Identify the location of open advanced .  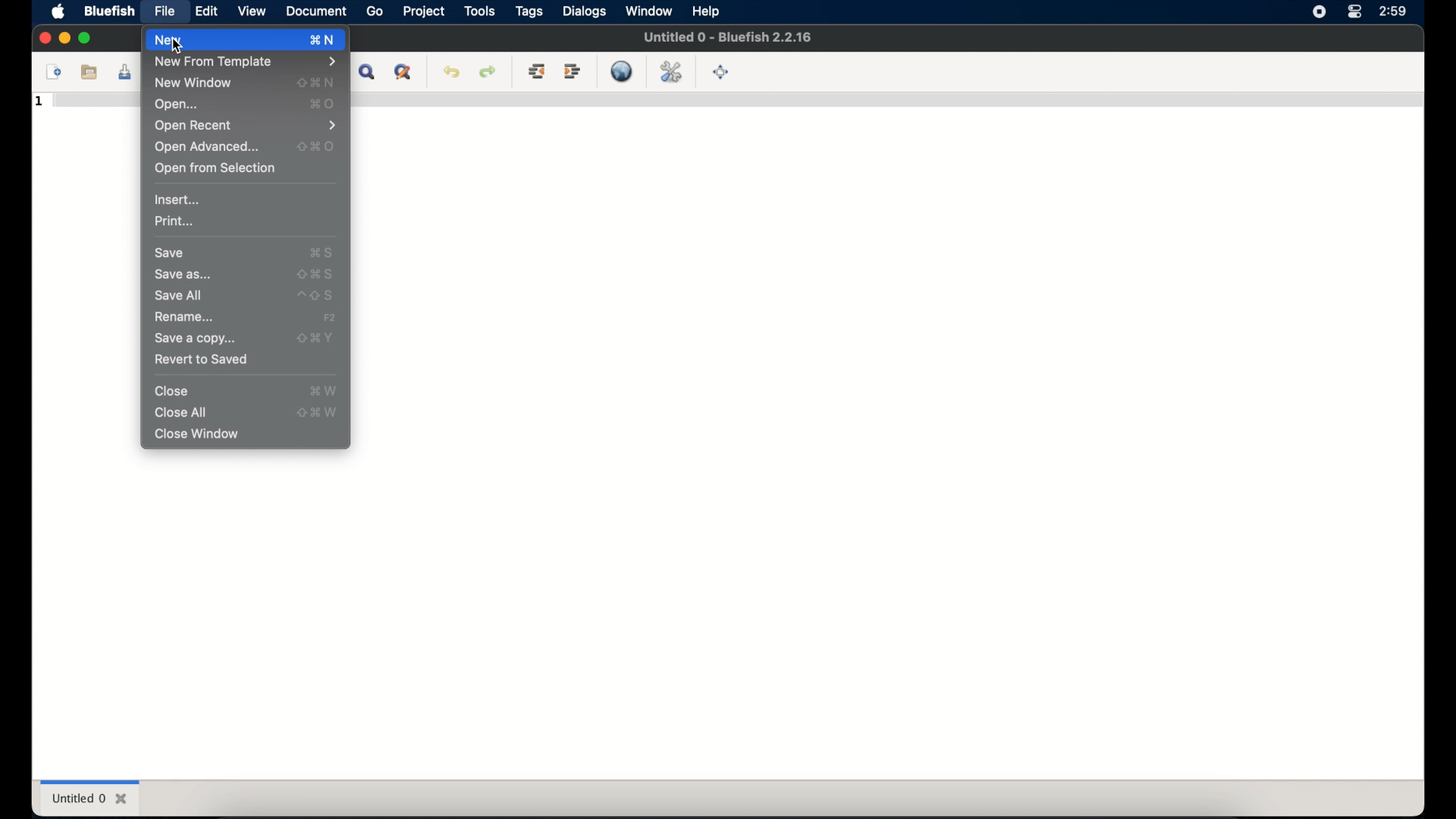
(207, 147).